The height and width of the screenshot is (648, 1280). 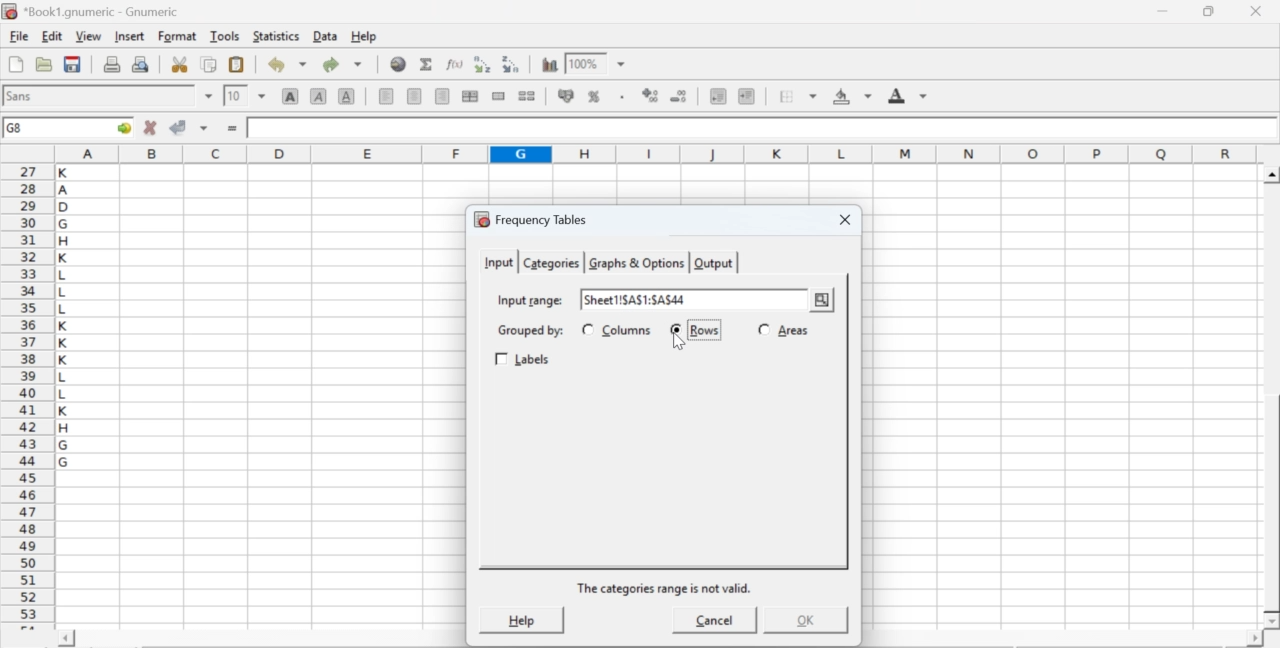 What do you see at coordinates (799, 96) in the screenshot?
I see `borders` at bounding box center [799, 96].